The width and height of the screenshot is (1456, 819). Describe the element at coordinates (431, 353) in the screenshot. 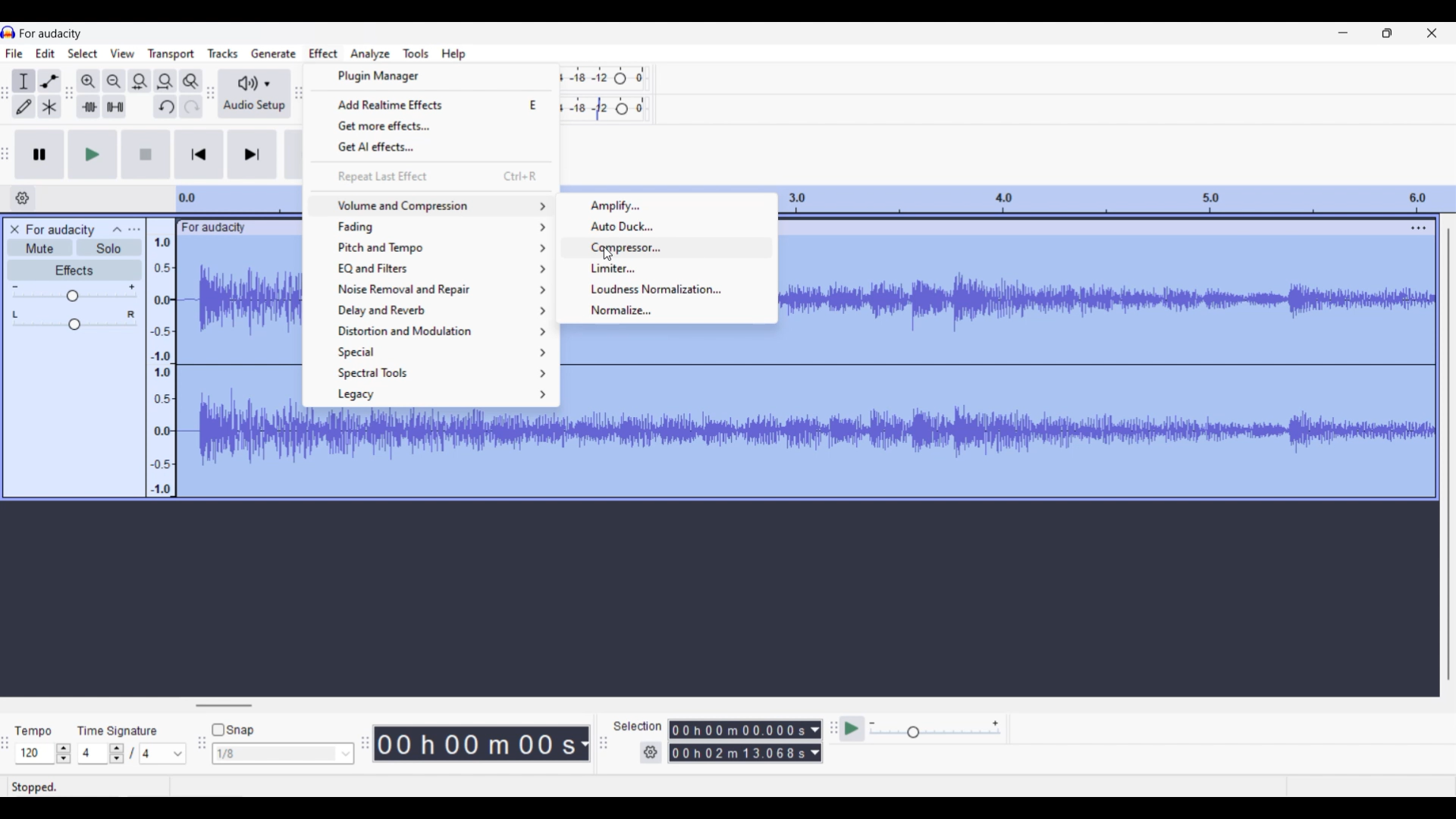

I see `Special` at that location.